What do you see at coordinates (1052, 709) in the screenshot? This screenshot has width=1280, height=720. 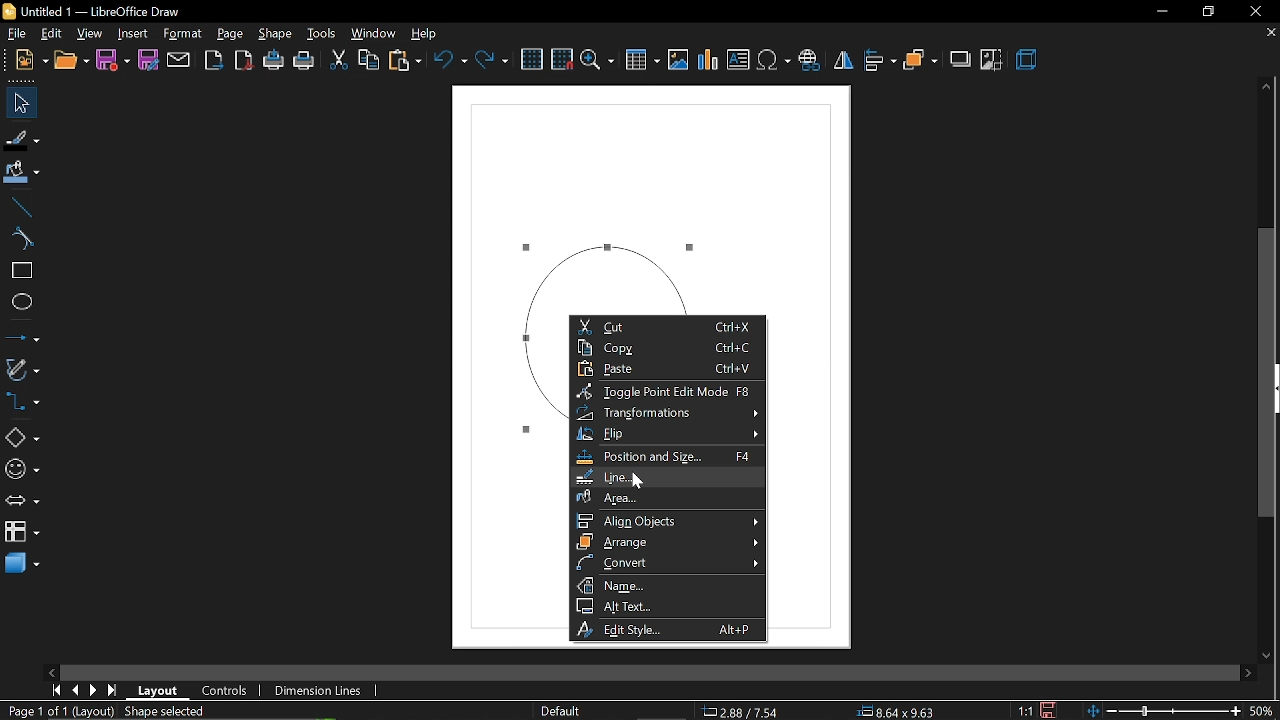 I see `save` at bounding box center [1052, 709].